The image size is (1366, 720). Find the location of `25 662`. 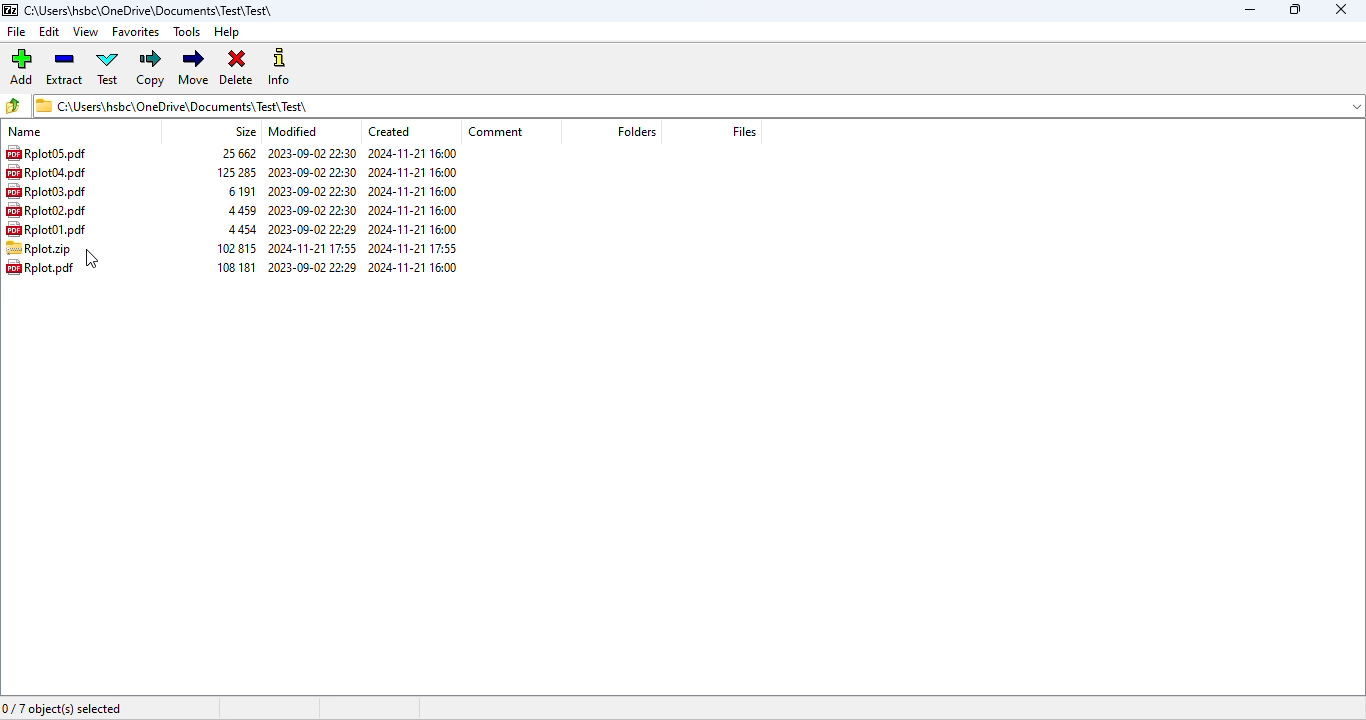

25 662 is located at coordinates (233, 153).